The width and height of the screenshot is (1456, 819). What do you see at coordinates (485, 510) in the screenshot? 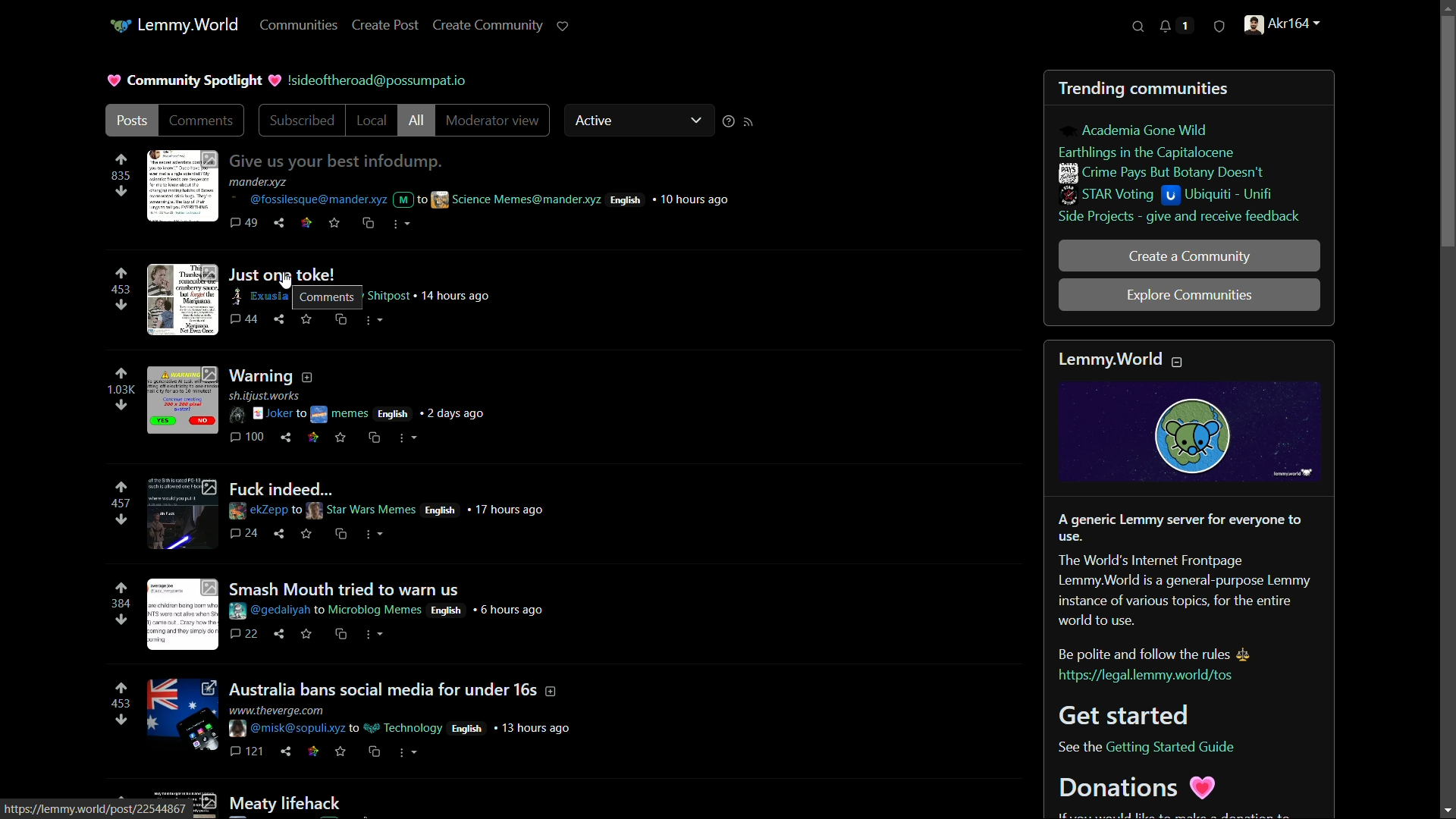
I see `English 17 hours ago` at bounding box center [485, 510].